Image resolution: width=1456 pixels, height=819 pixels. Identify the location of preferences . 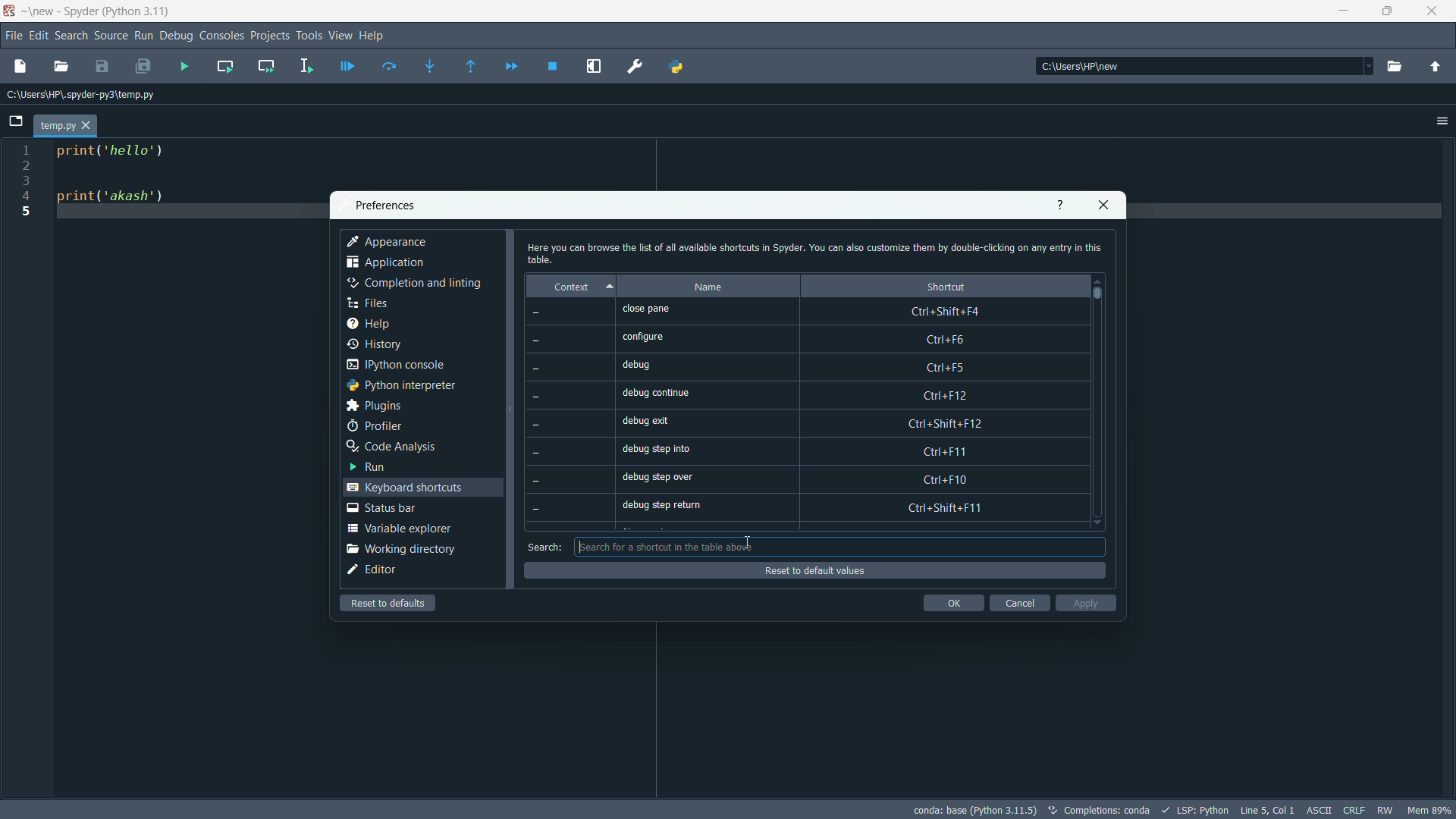
(635, 67).